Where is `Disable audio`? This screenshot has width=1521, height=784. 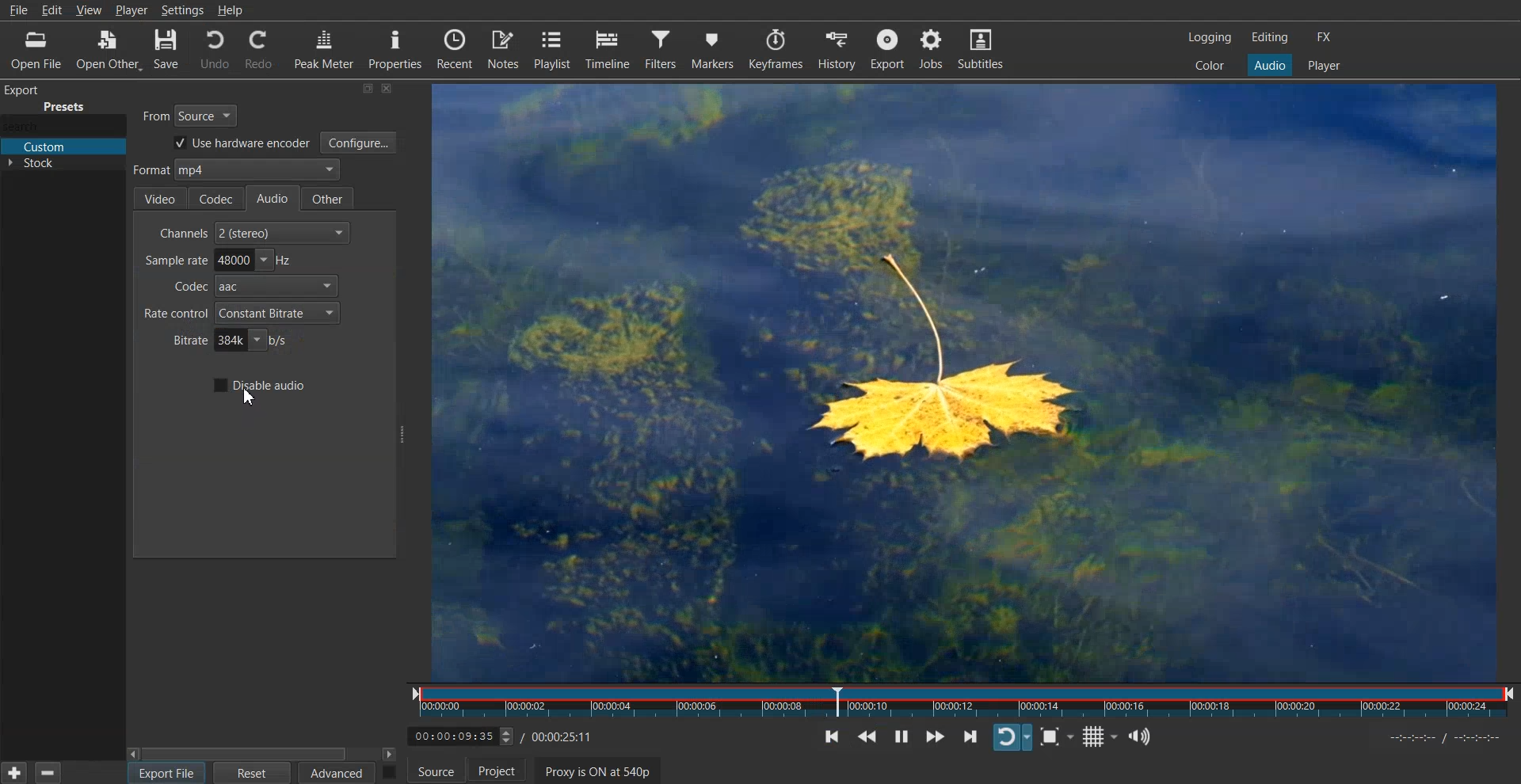 Disable audio is located at coordinates (258, 385).